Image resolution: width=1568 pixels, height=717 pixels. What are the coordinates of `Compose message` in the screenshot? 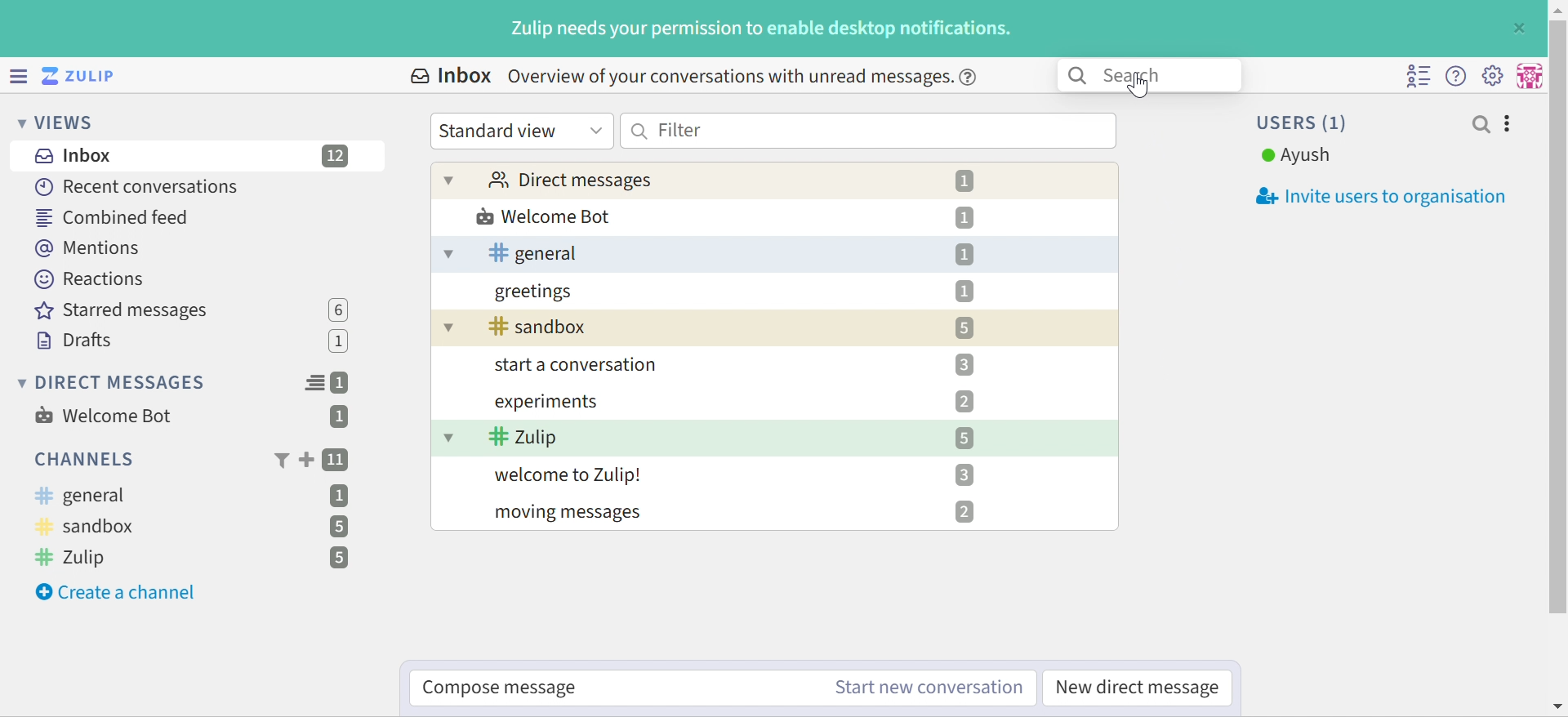 It's located at (503, 688).